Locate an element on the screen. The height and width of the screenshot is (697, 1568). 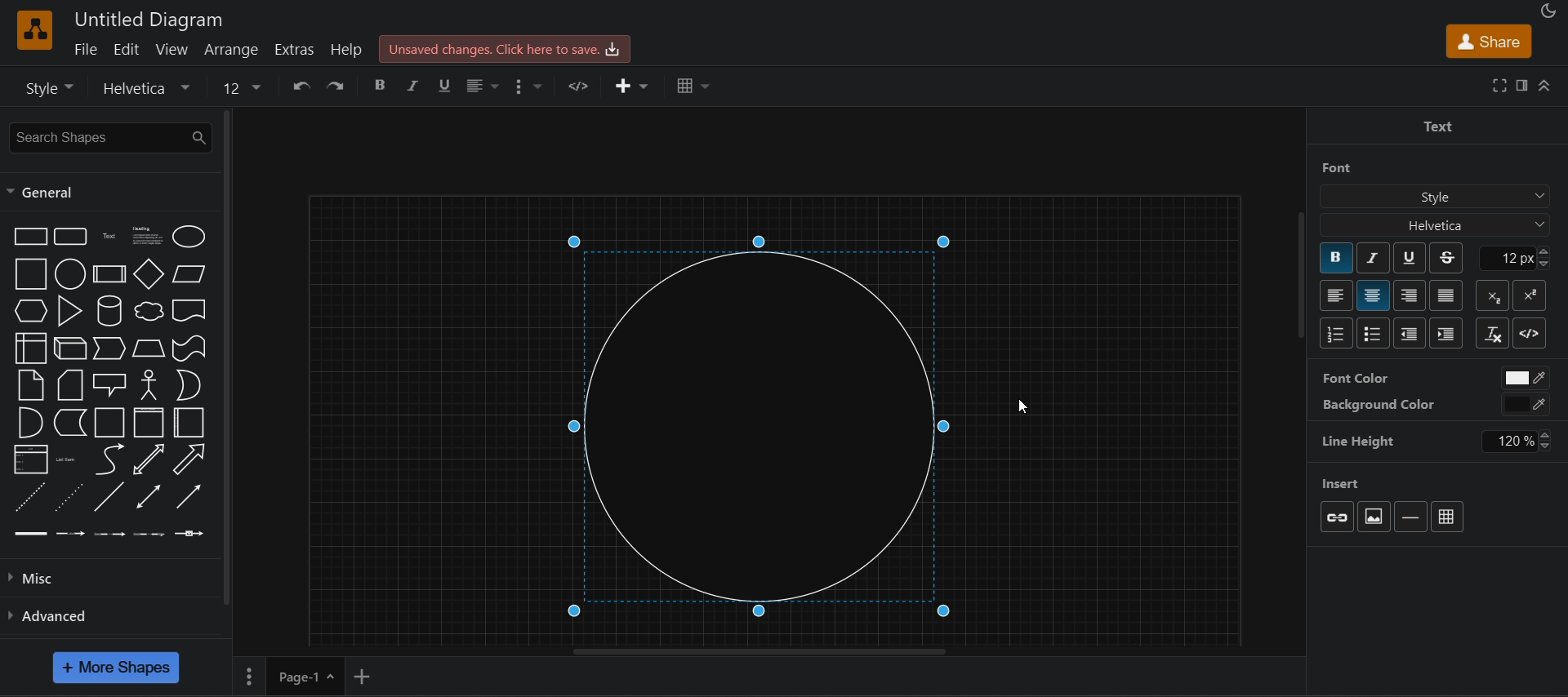
fullscreen is located at coordinates (1499, 86).